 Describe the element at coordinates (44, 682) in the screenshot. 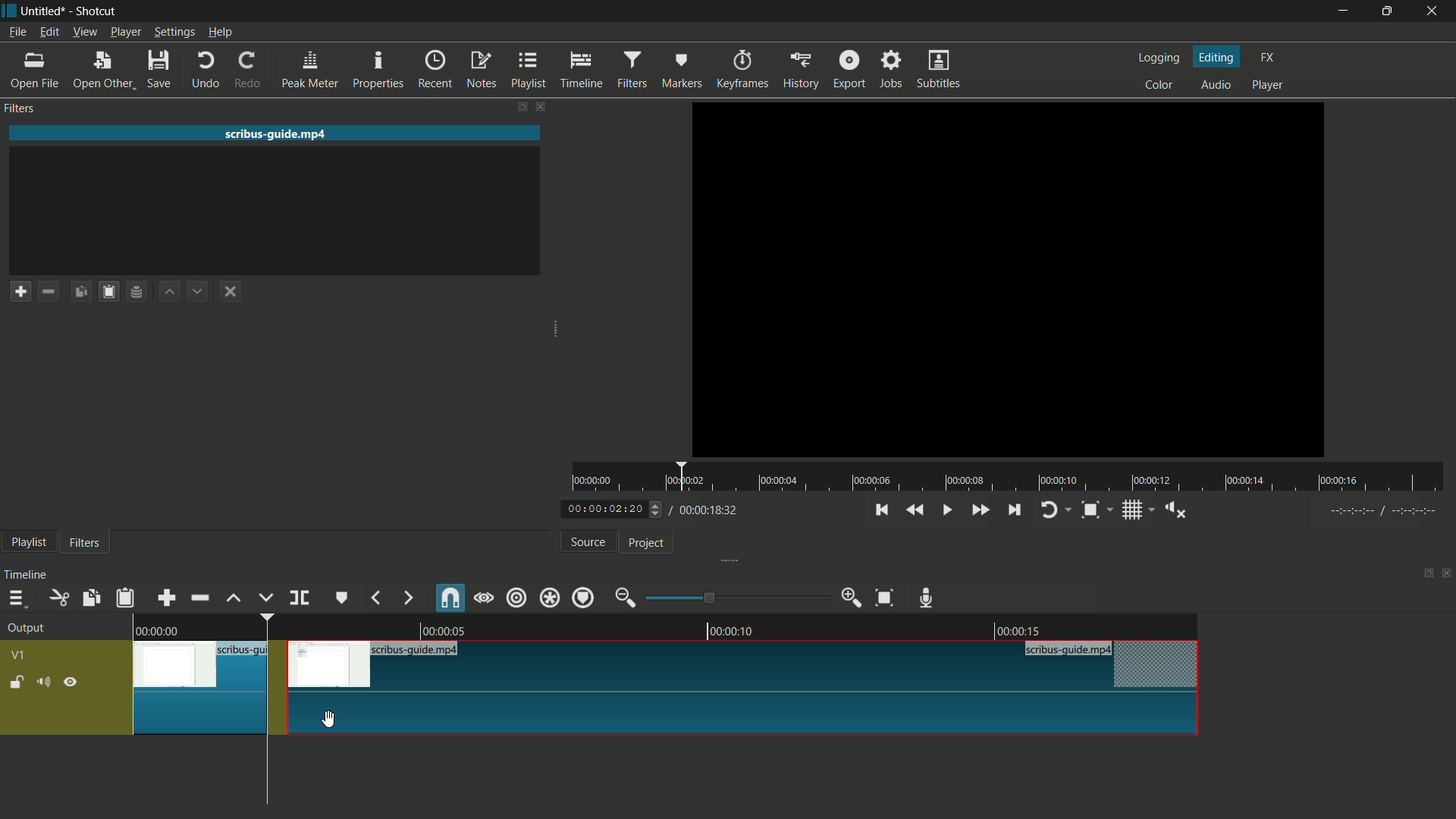

I see `mute` at that location.